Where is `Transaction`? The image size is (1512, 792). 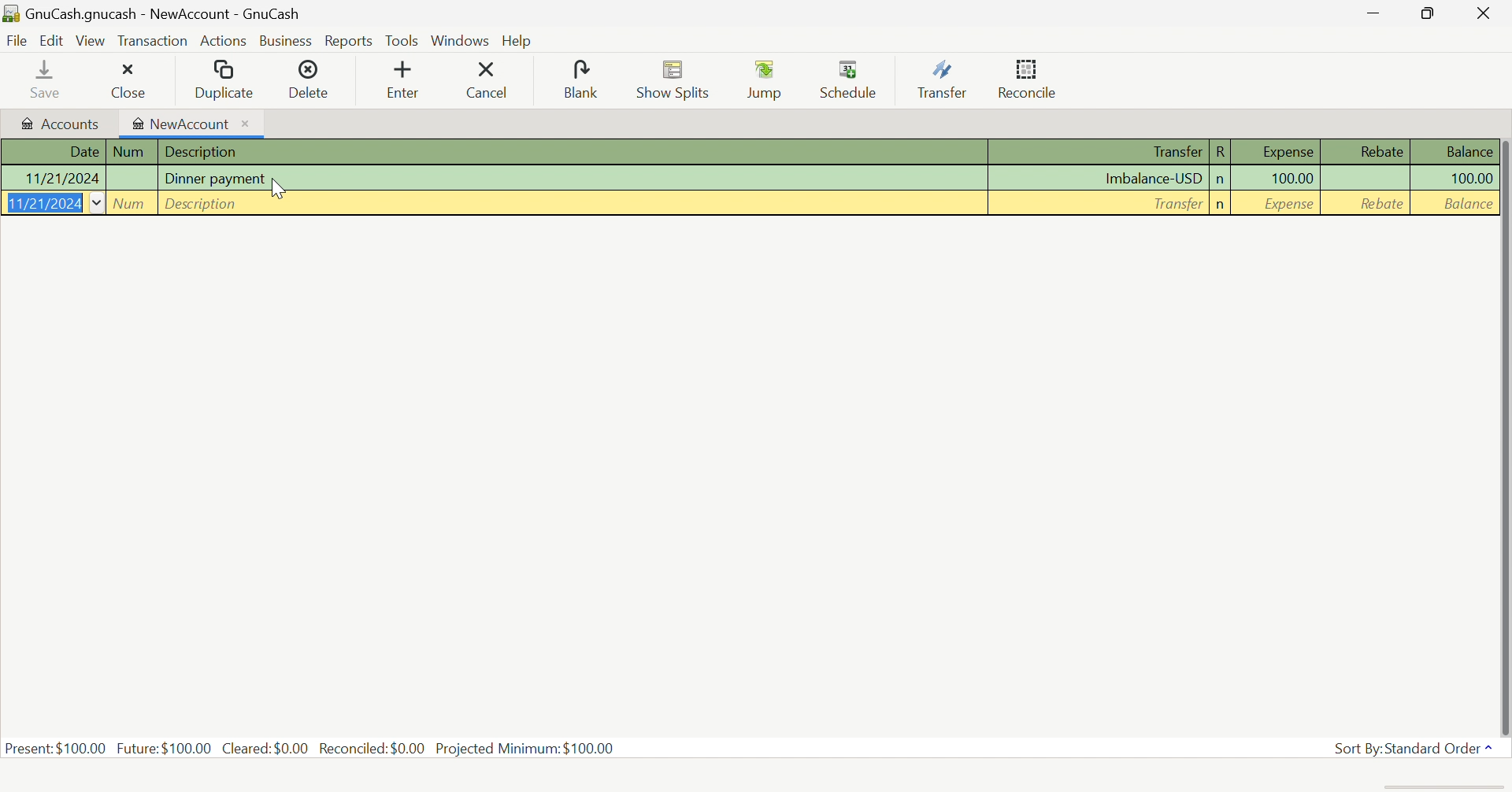 Transaction is located at coordinates (152, 44).